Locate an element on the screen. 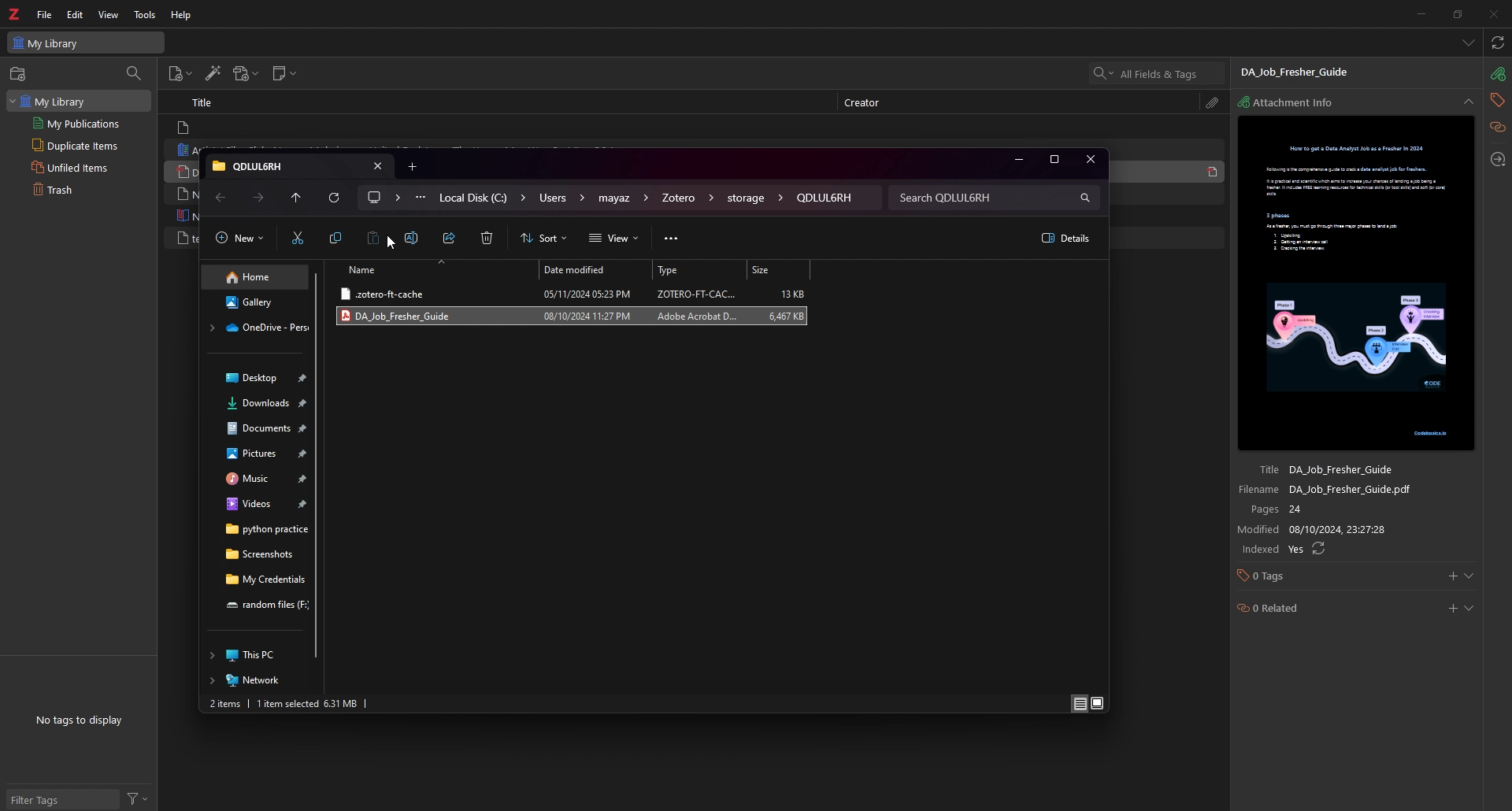 The height and width of the screenshot is (811, 1512). tags is located at coordinates (1496, 100).